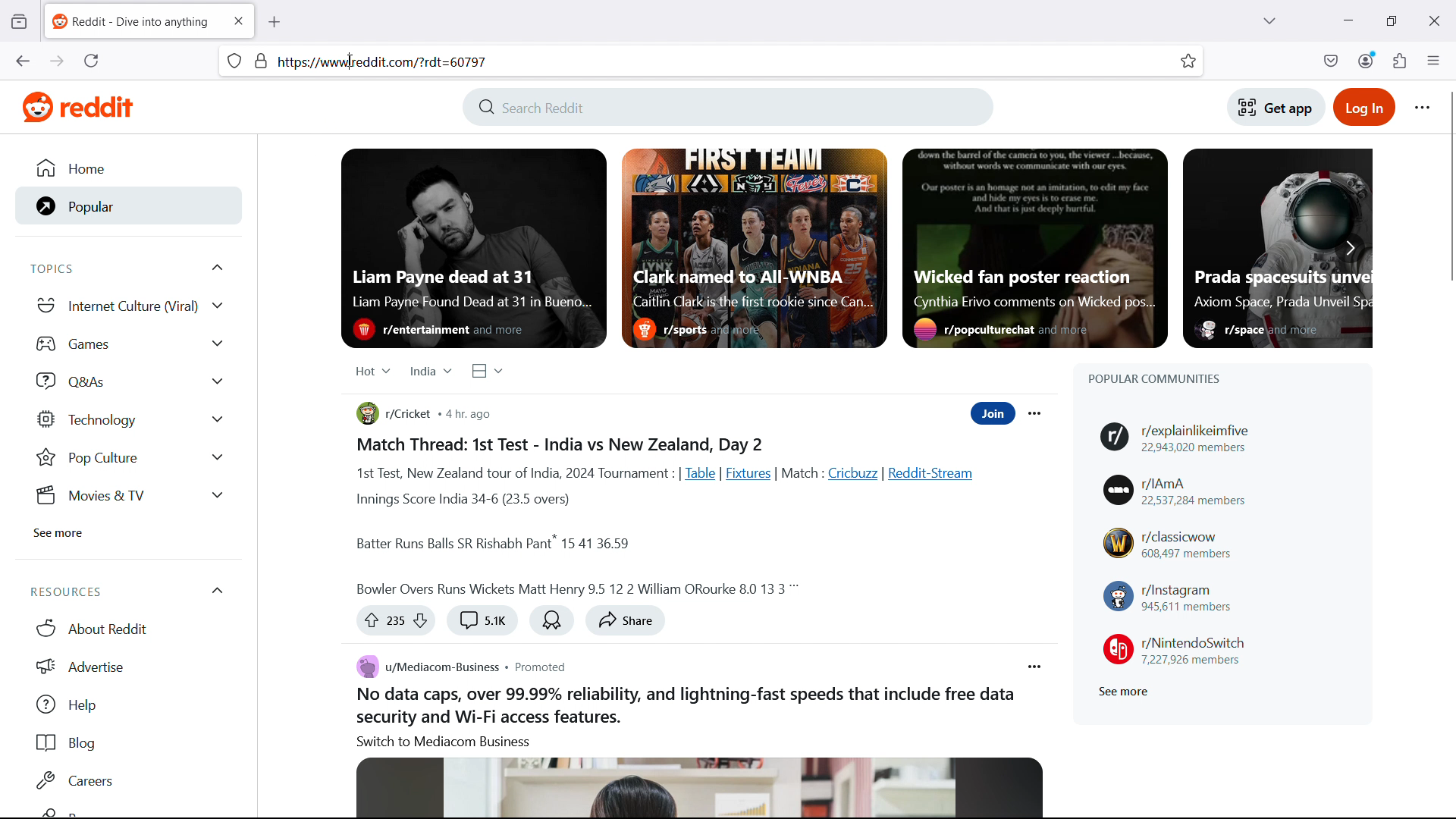 Image resolution: width=1456 pixels, height=819 pixels. Describe the element at coordinates (126, 781) in the screenshot. I see `Careers` at that location.